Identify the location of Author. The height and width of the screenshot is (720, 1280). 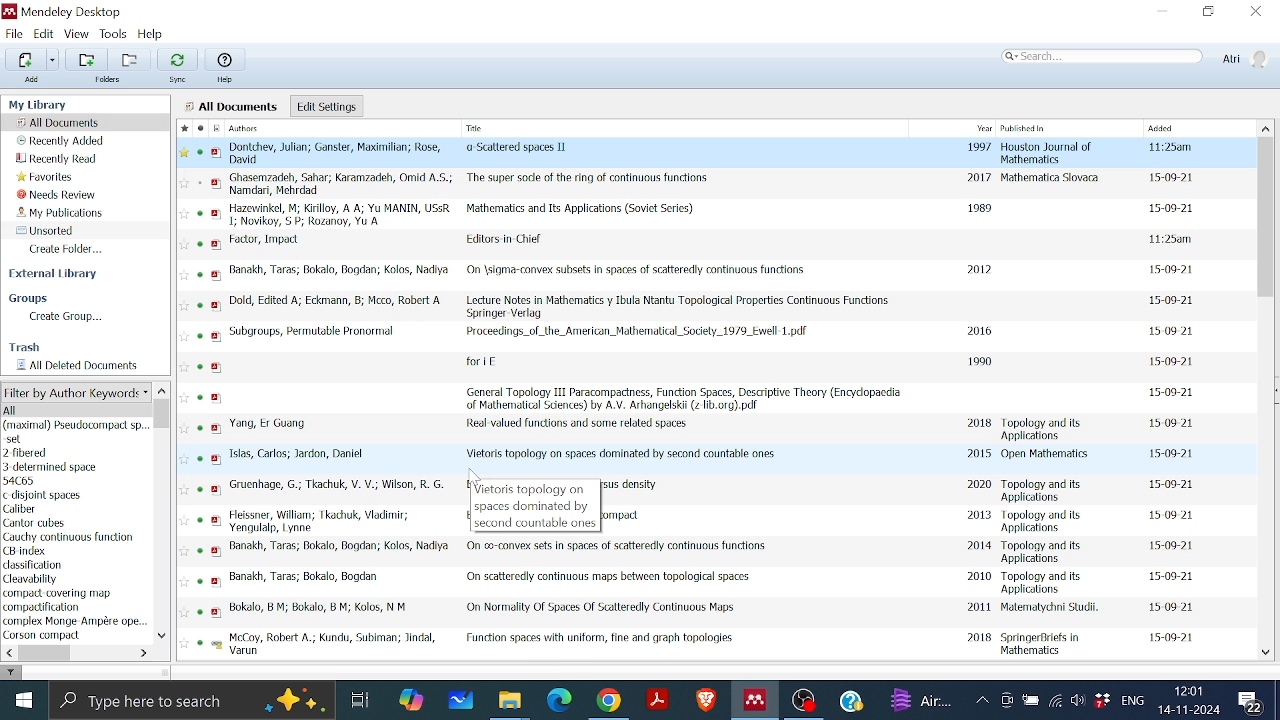
(339, 301).